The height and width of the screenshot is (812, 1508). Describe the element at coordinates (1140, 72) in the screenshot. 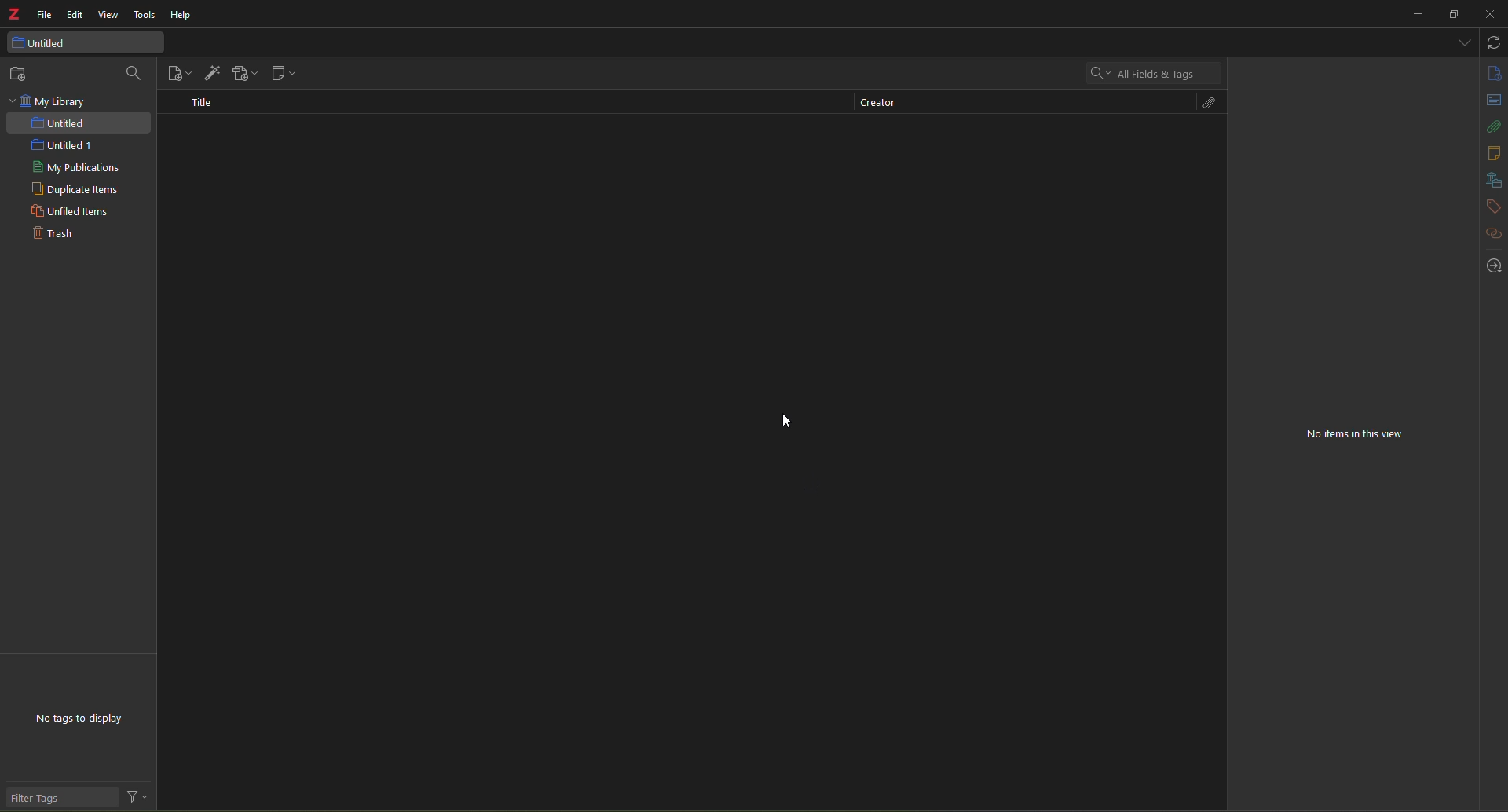

I see `search` at that location.